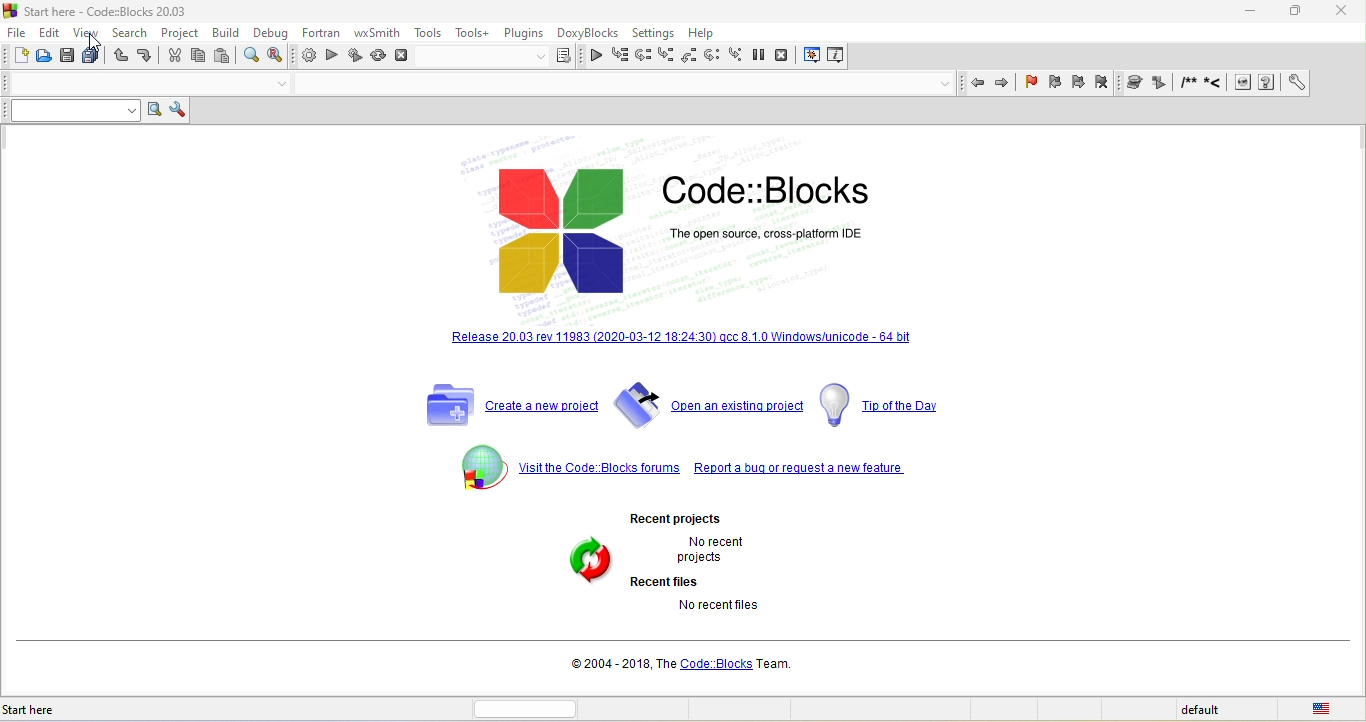 The height and width of the screenshot is (722, 1366). I want to click on open, so click(44, 57).